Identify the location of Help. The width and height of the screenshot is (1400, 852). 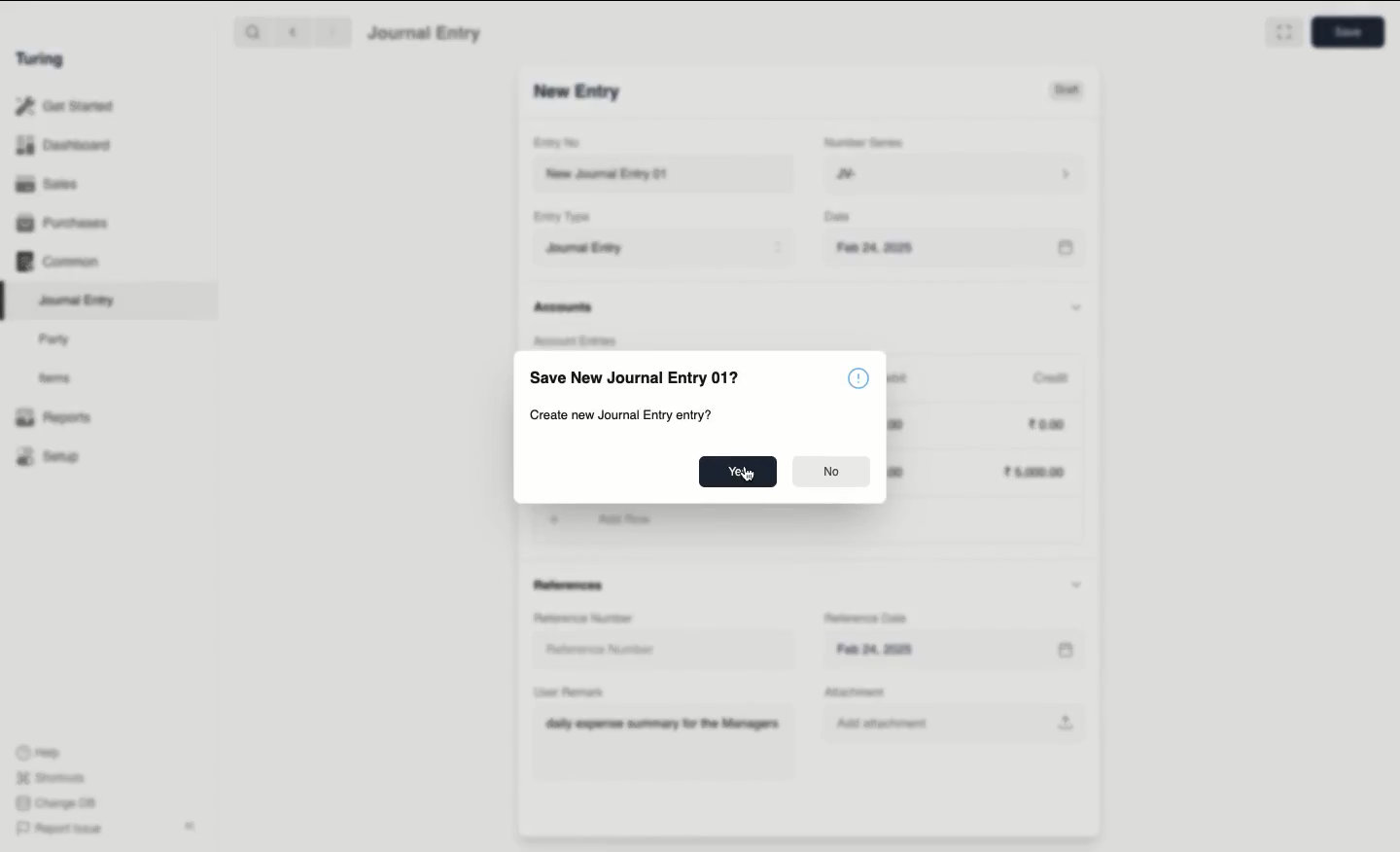
(39, 753).